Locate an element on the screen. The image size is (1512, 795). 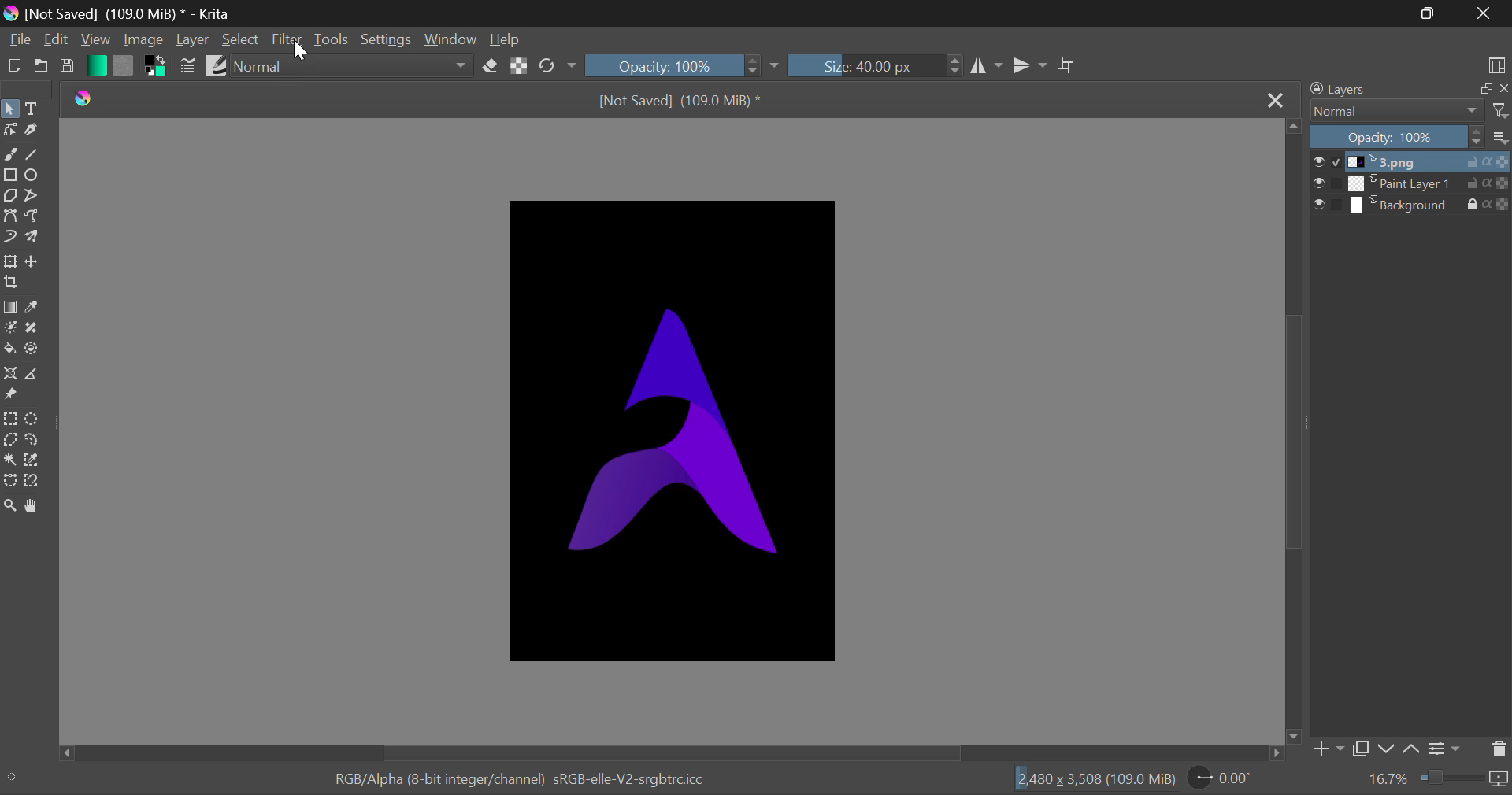
Save is located at coordinates (67, 69).